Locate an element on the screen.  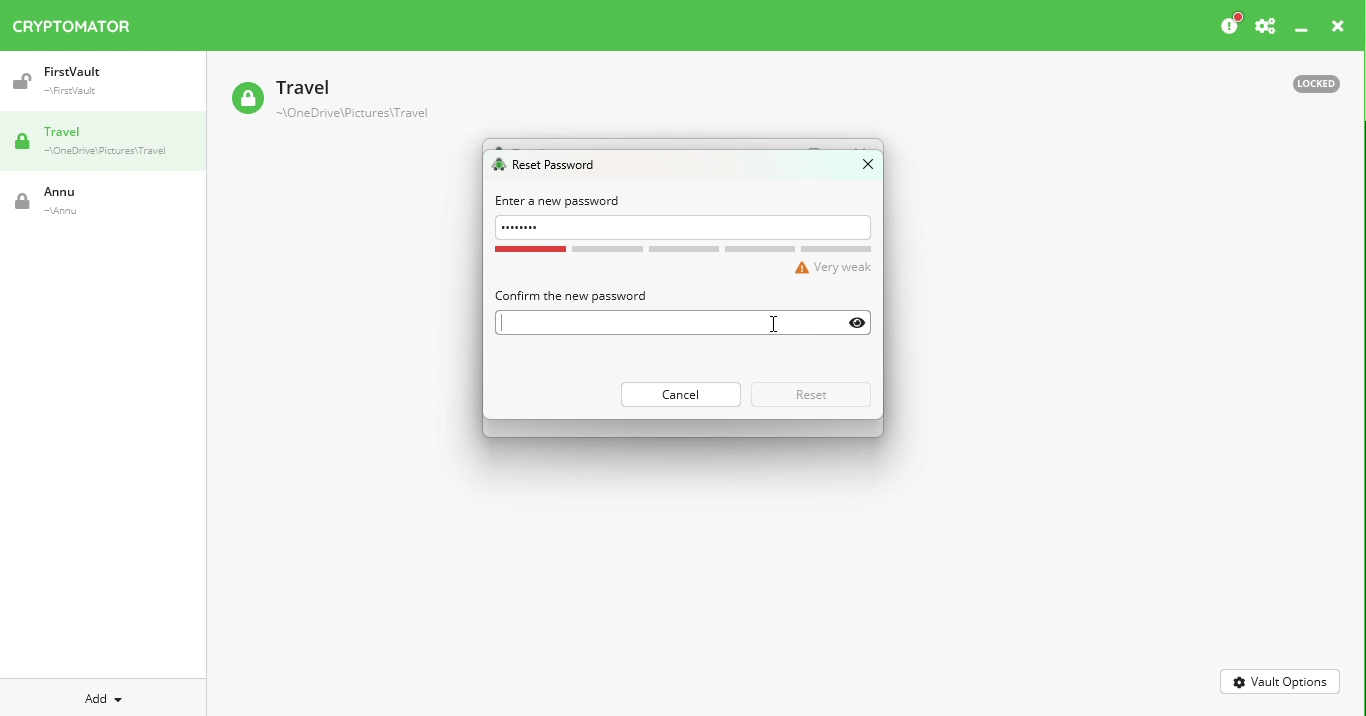
Cancel is located at coordinates (679, 394).